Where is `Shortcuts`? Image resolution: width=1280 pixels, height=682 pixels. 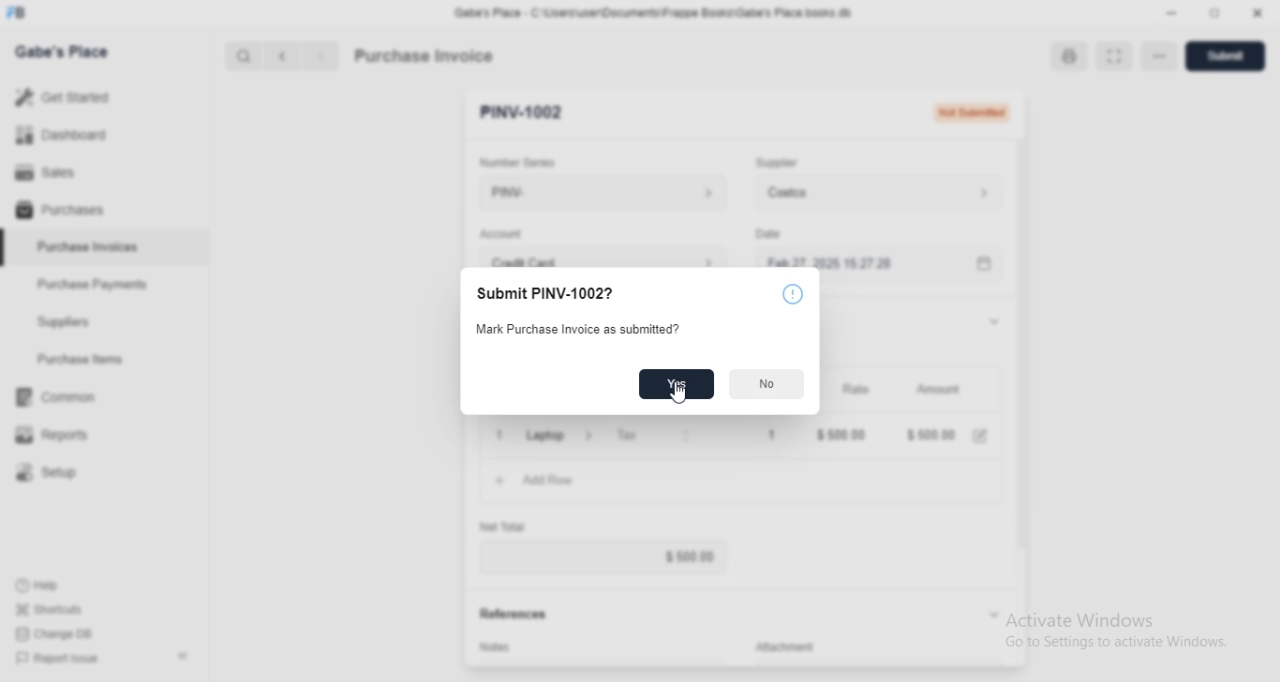 Shortcuts is located at coordinates (50, 609).